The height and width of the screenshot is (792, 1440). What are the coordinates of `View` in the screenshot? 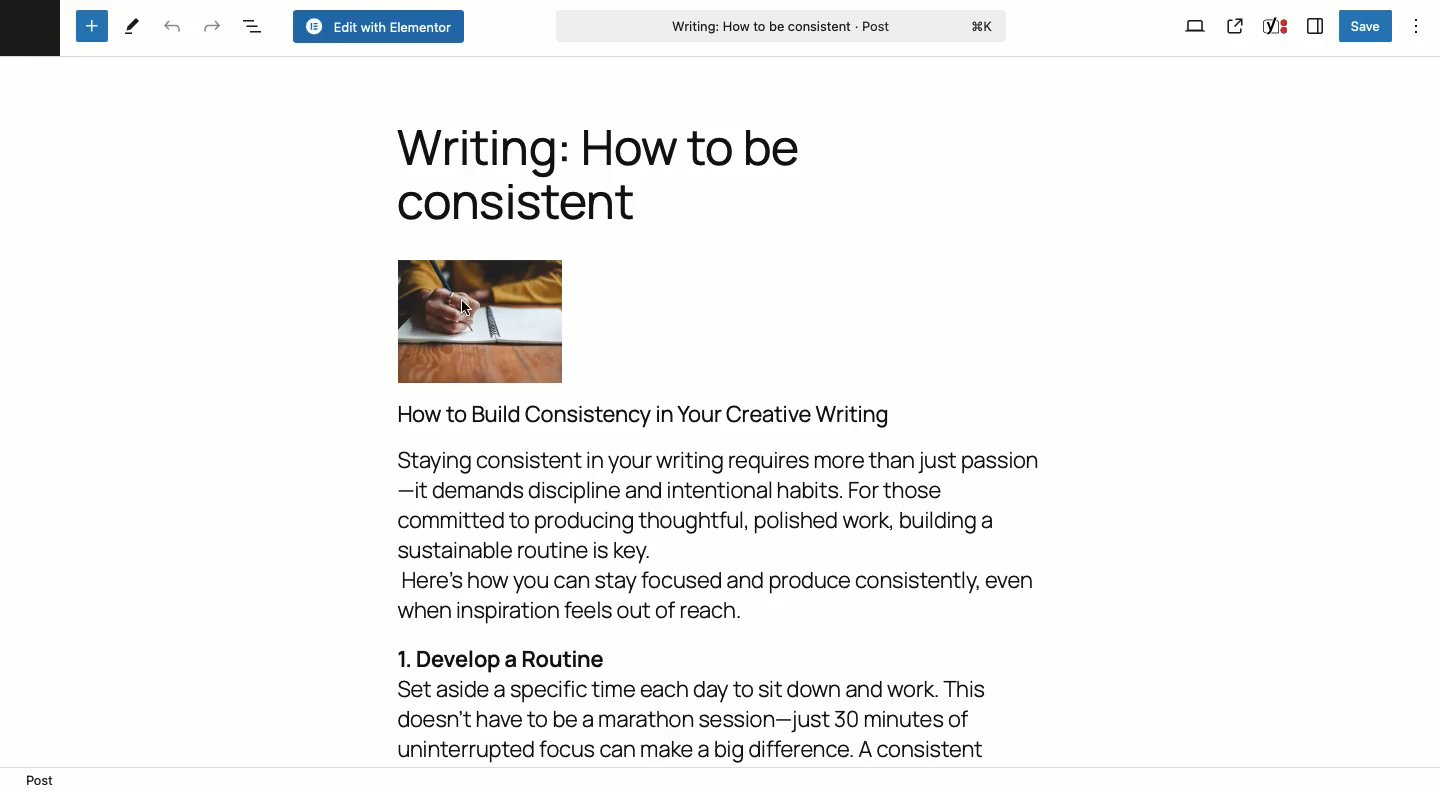 It's located at (1195, 25).